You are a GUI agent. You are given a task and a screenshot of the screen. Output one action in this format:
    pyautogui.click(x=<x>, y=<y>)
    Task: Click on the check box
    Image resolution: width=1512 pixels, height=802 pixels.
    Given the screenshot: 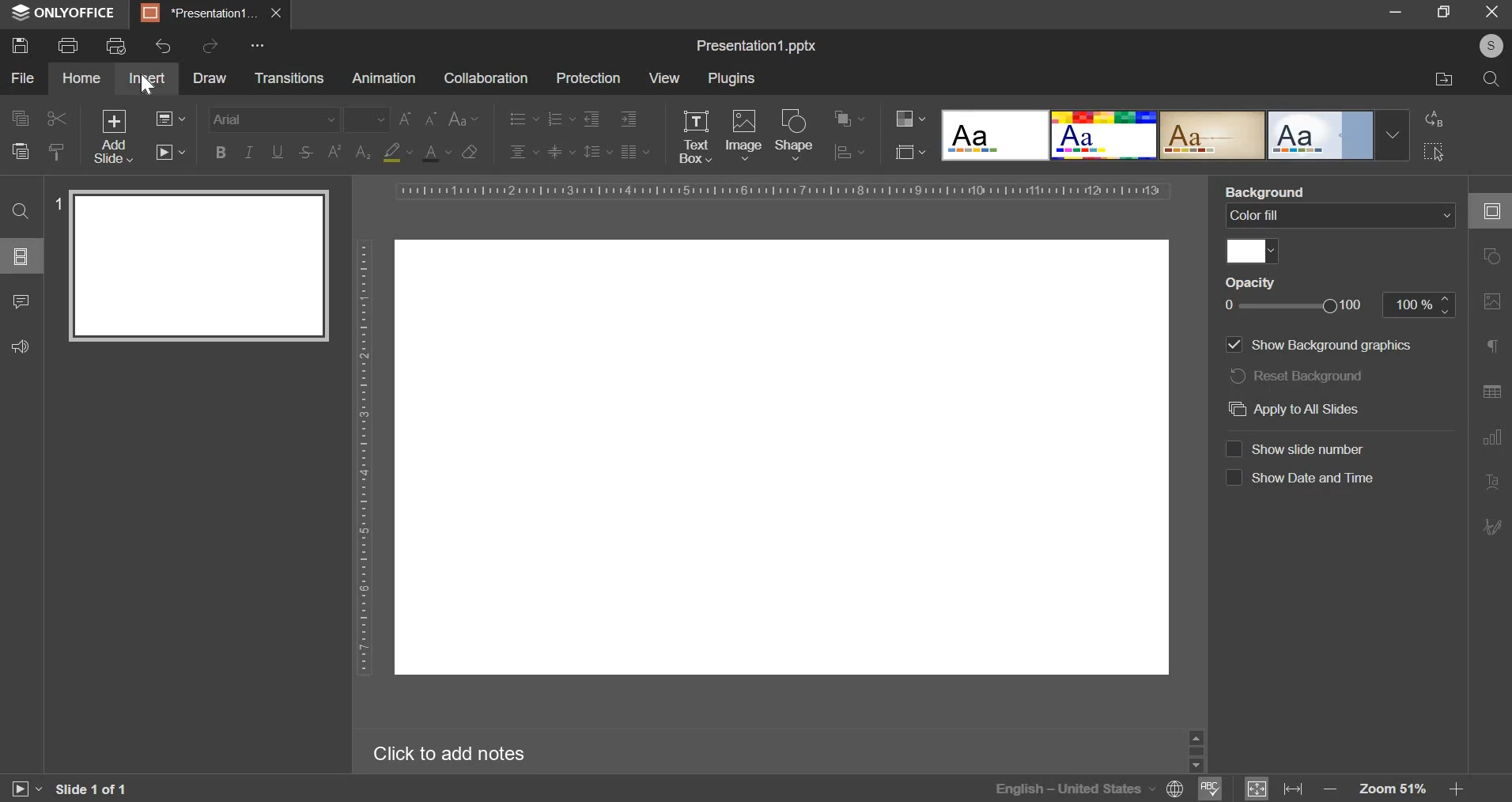 What is the action you would take?
    pyautogui.click(x=1234, y=448)
    